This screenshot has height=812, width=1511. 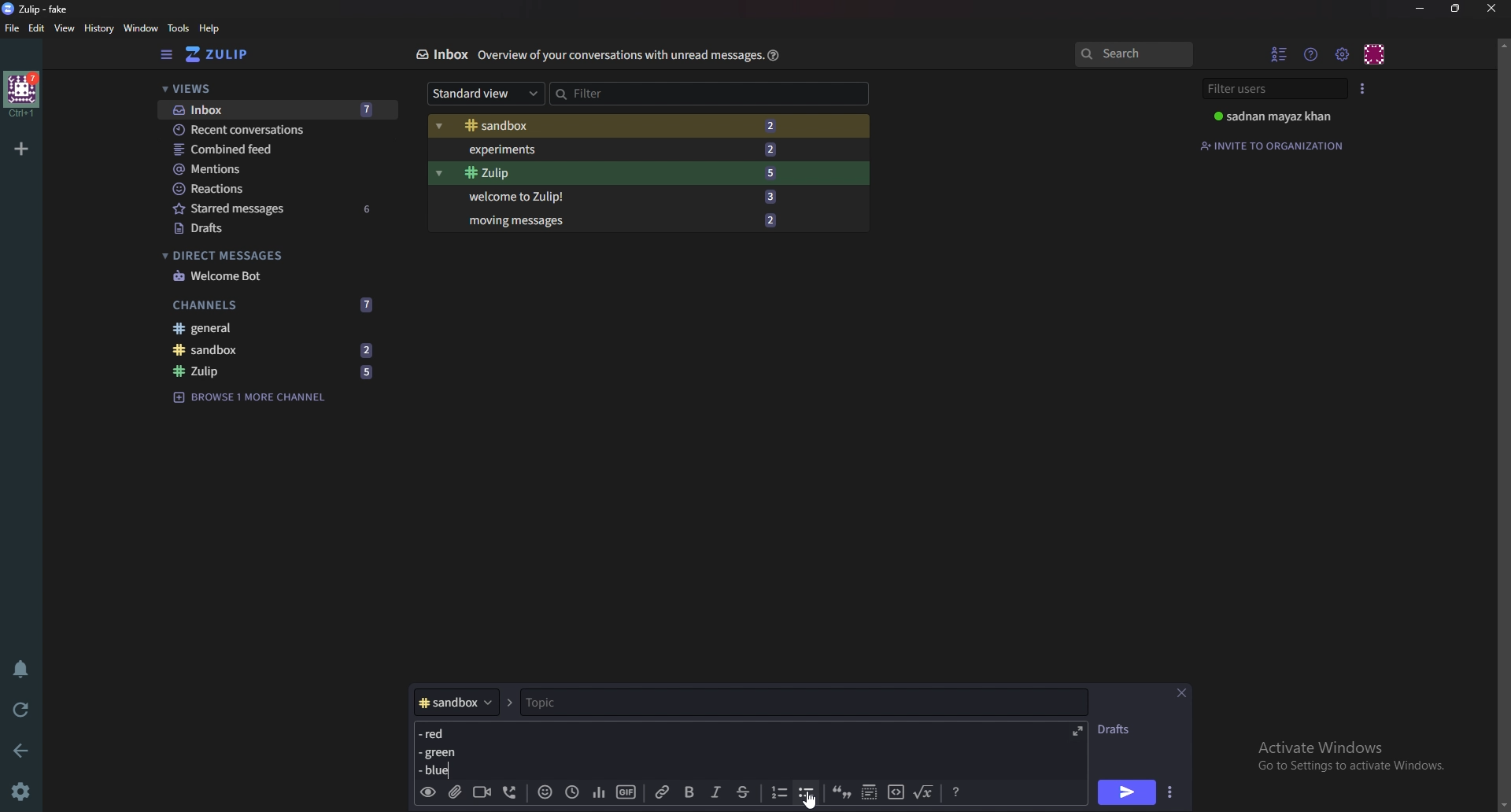 What do you see at coordinates (228, 54) in the screenshot?
I see `Home view` at bounding box center [228, 54].